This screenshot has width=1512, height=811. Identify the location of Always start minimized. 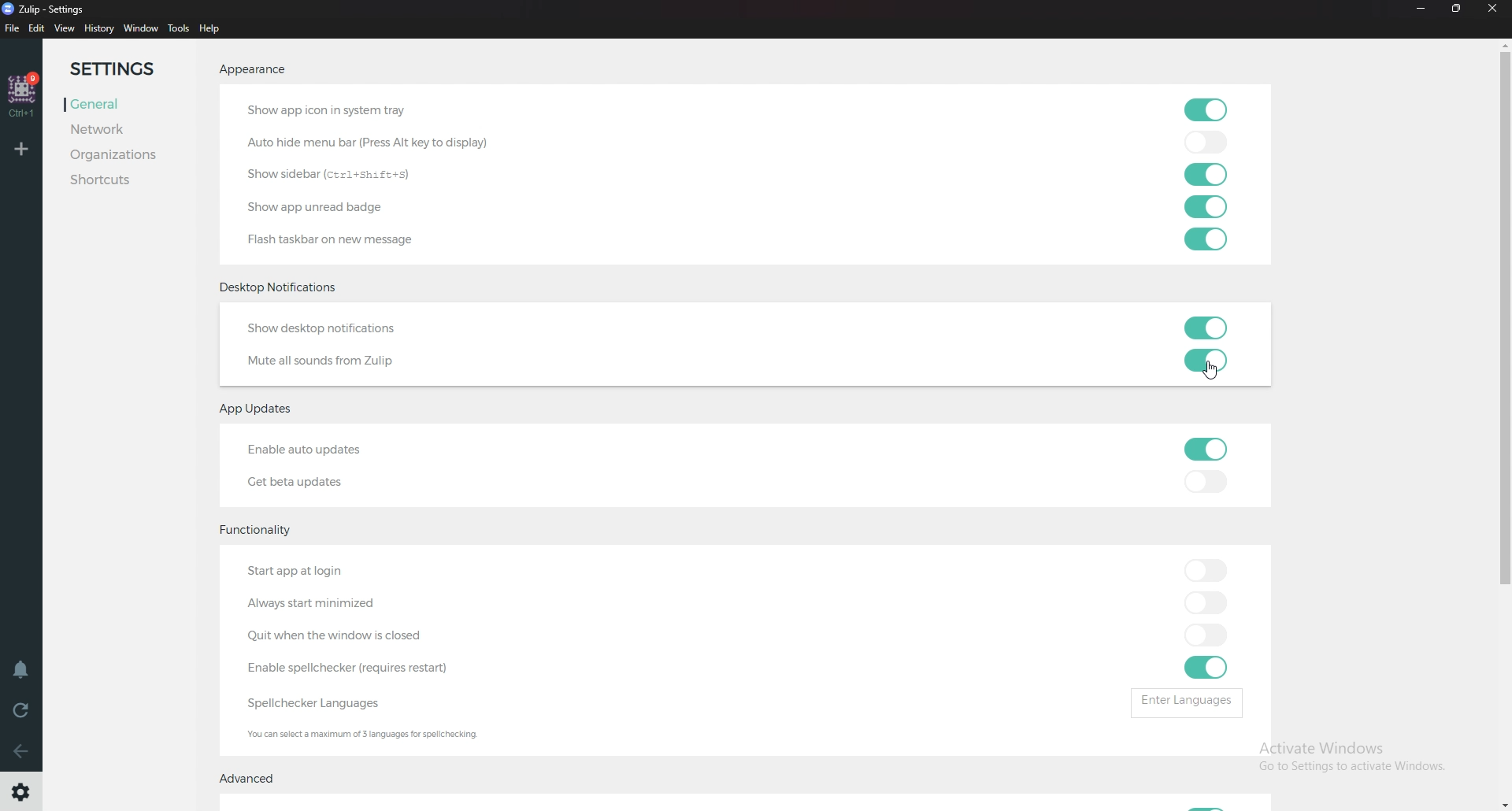
(318, 606).